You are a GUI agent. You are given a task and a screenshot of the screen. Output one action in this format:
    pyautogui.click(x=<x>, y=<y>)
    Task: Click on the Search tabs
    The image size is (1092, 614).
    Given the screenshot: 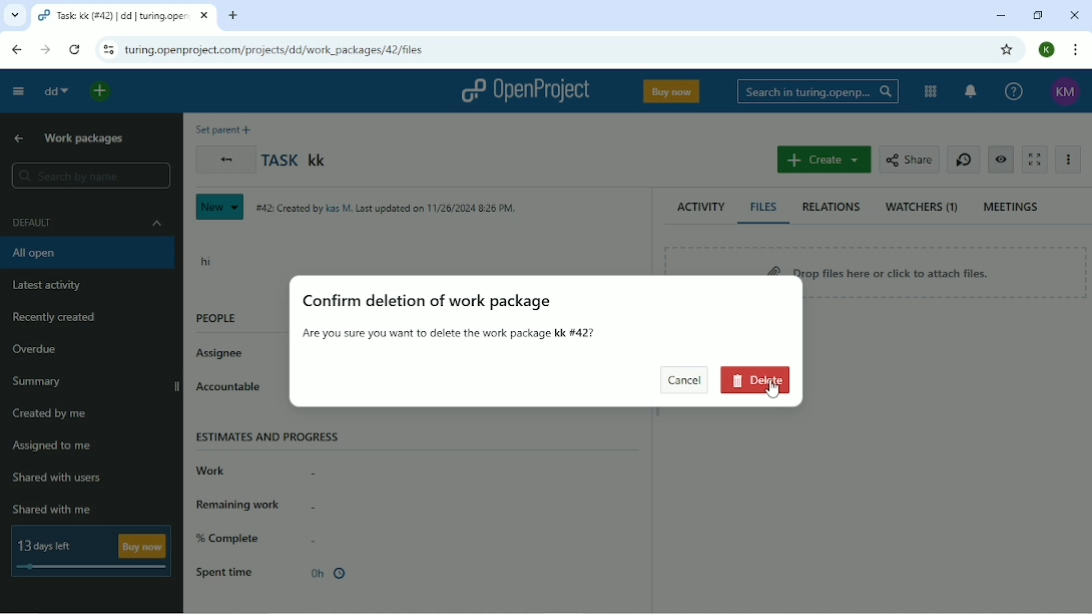 What is the action you would take?
    pyautogui.click(x=15, y=15)
    